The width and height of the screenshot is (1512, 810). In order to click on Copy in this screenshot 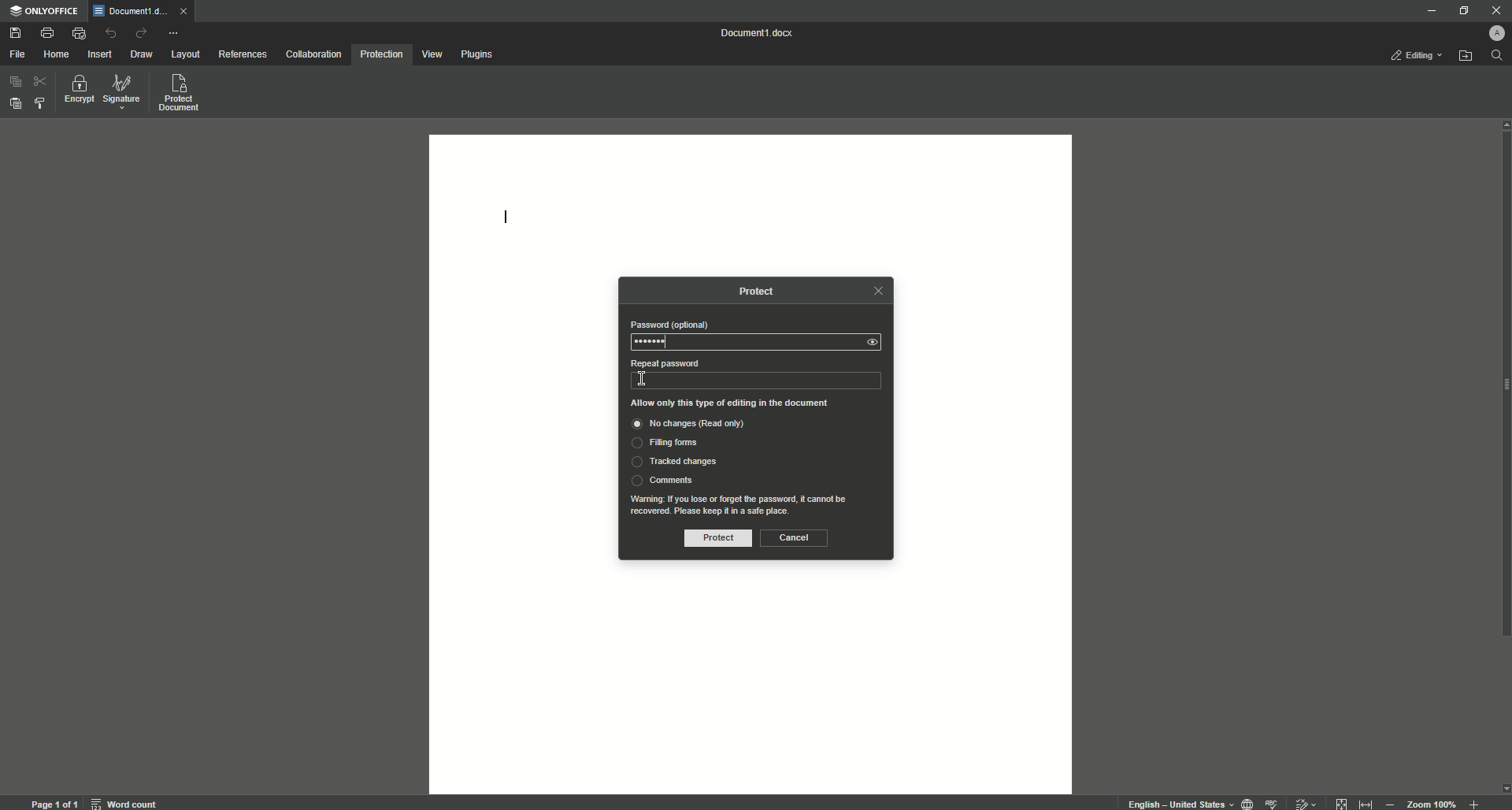, I will do `click(13, 83)`.